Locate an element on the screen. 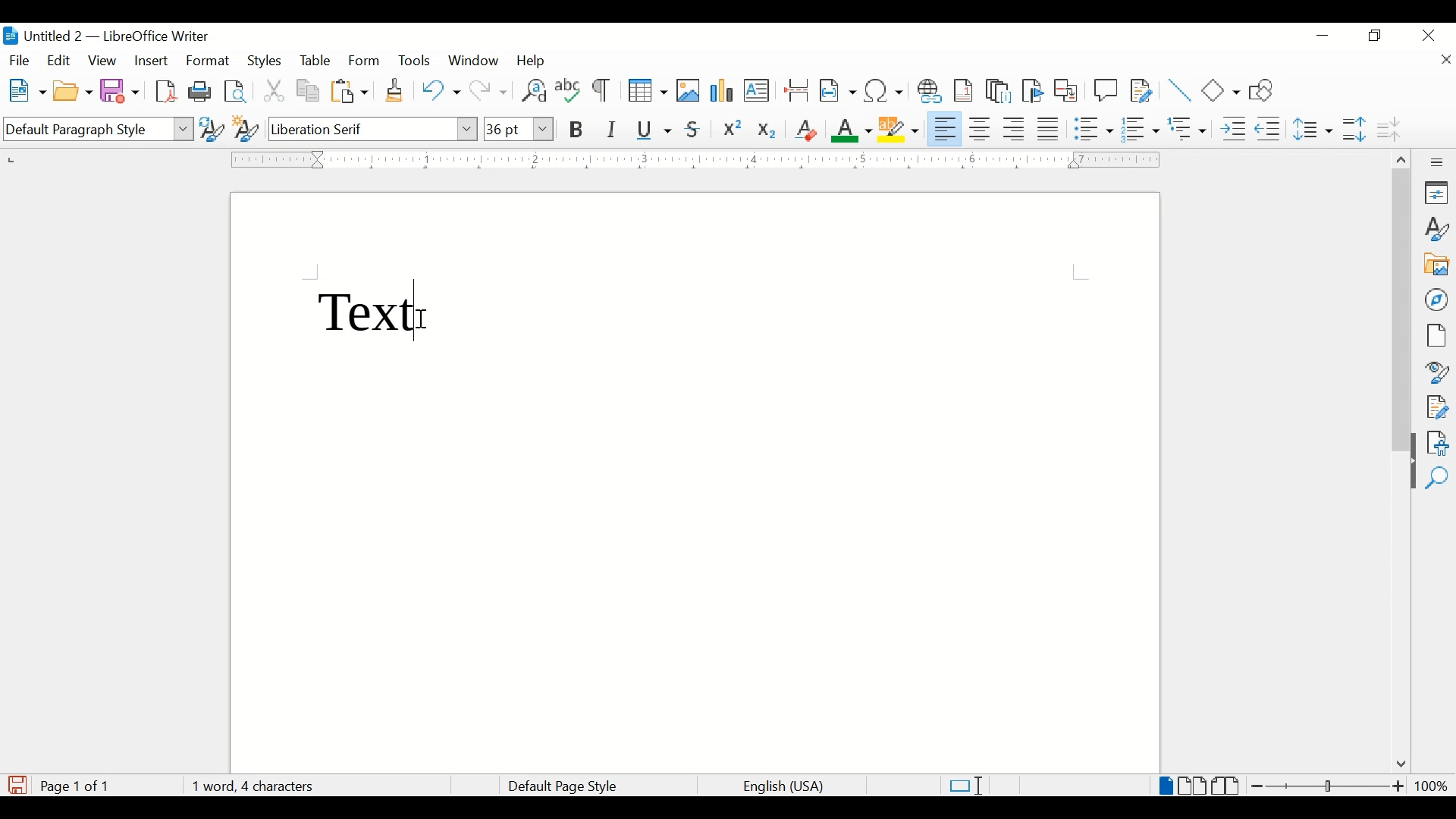 The image size is (1456, 819). language is located at coordinates (785, 787).